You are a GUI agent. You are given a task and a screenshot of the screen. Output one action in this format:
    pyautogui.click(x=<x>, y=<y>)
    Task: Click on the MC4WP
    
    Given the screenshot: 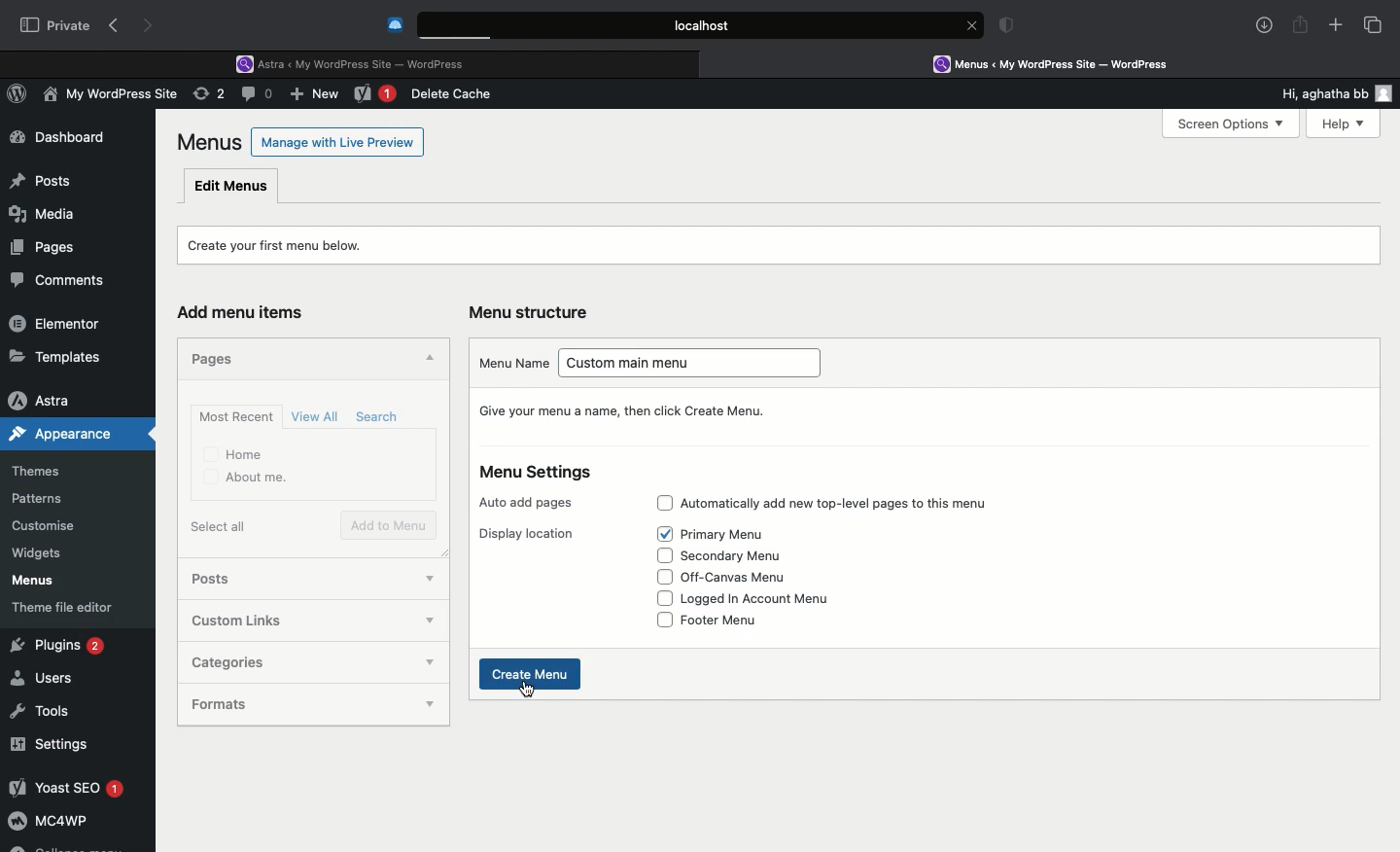 What is the action you would take?
    pyautogui.click(x=49, y=824)
    